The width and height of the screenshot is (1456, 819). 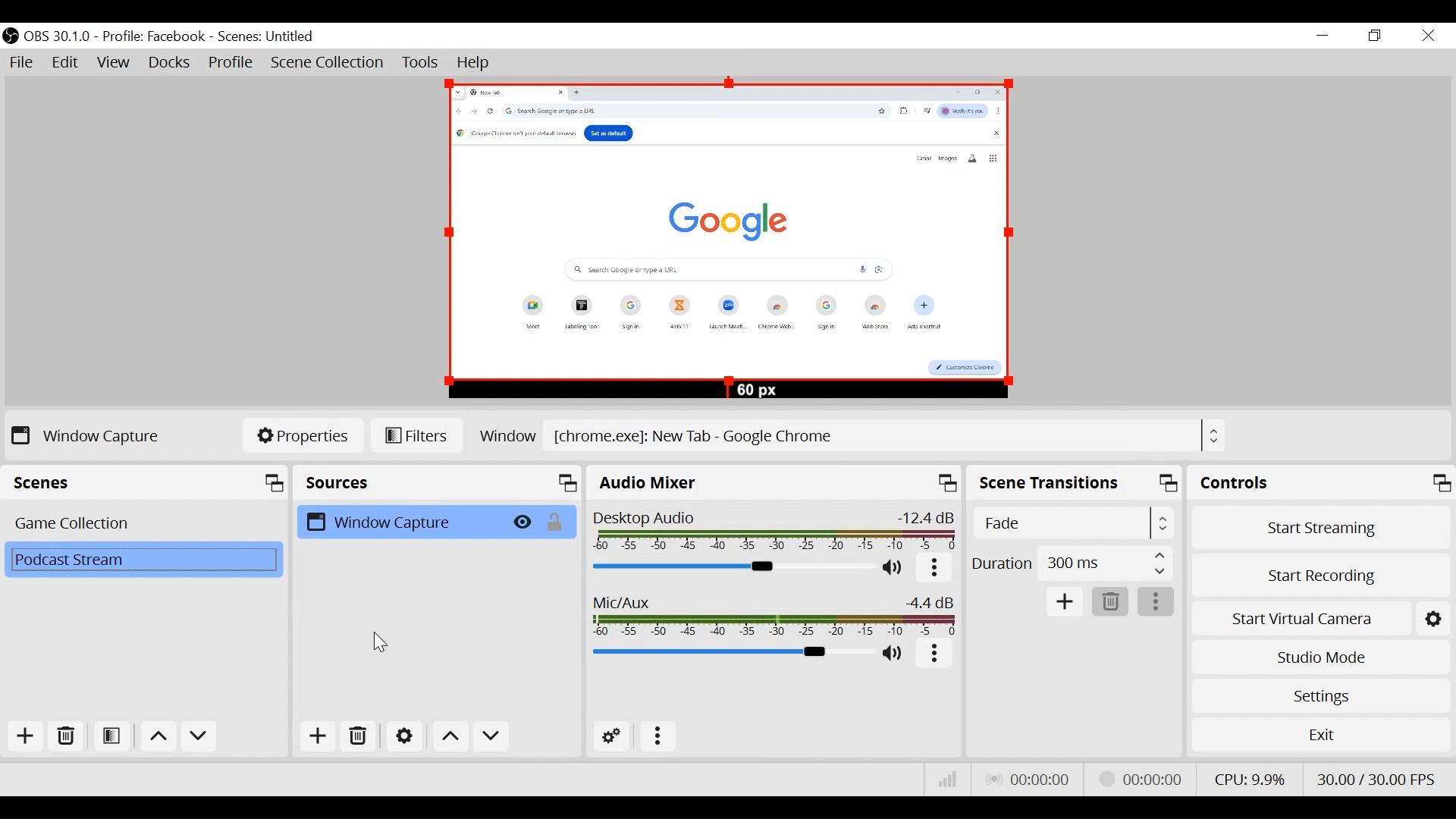 What do you see at coordinates (382, 641) in the screenshot?
I see `cursor` at bounding box center [382, 641].